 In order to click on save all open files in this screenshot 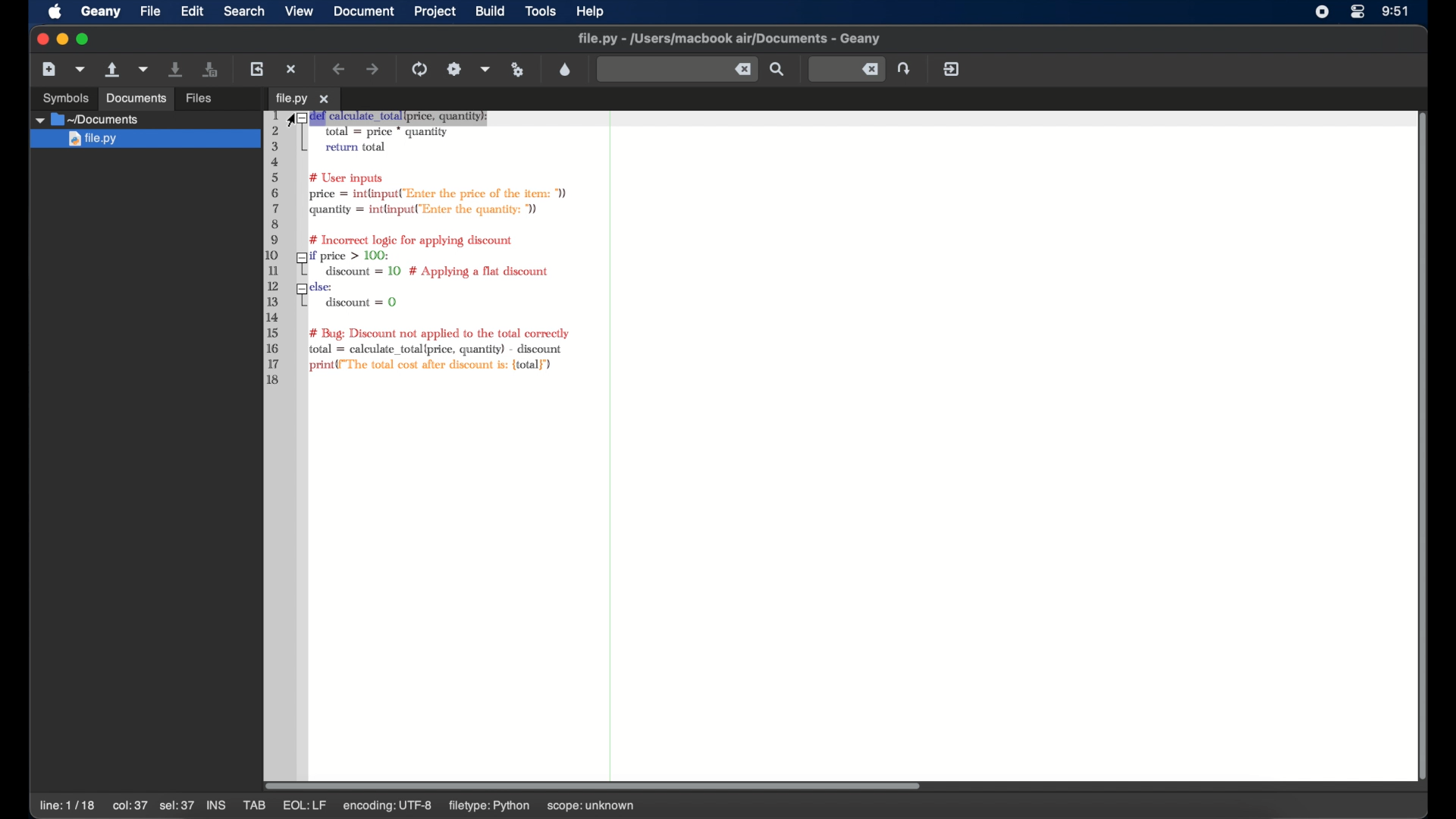, I will do `click(209, 70)`.